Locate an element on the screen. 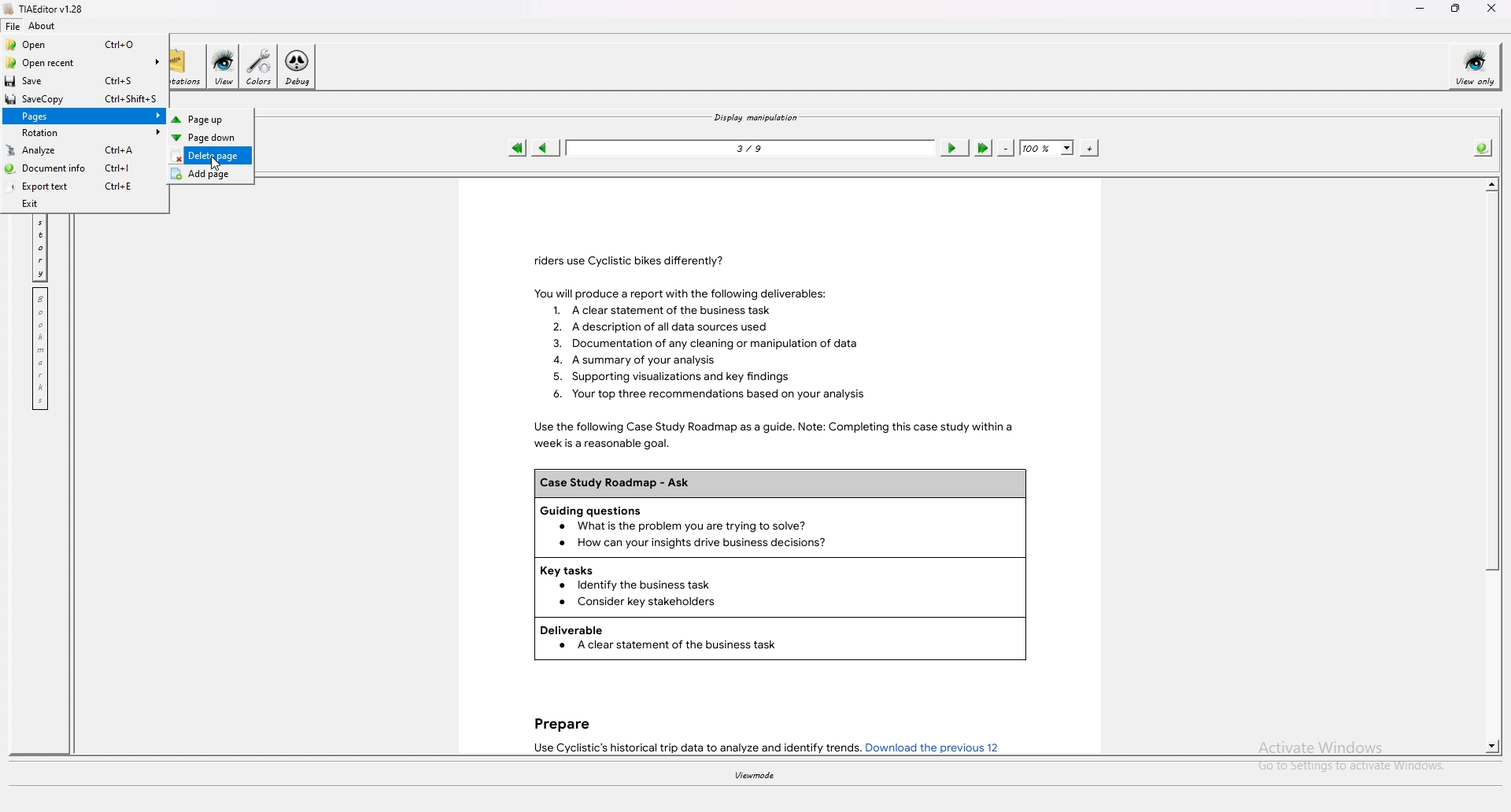 This screenshot has width=1511, height=812. viewmode is located at coordinates (754, 776).